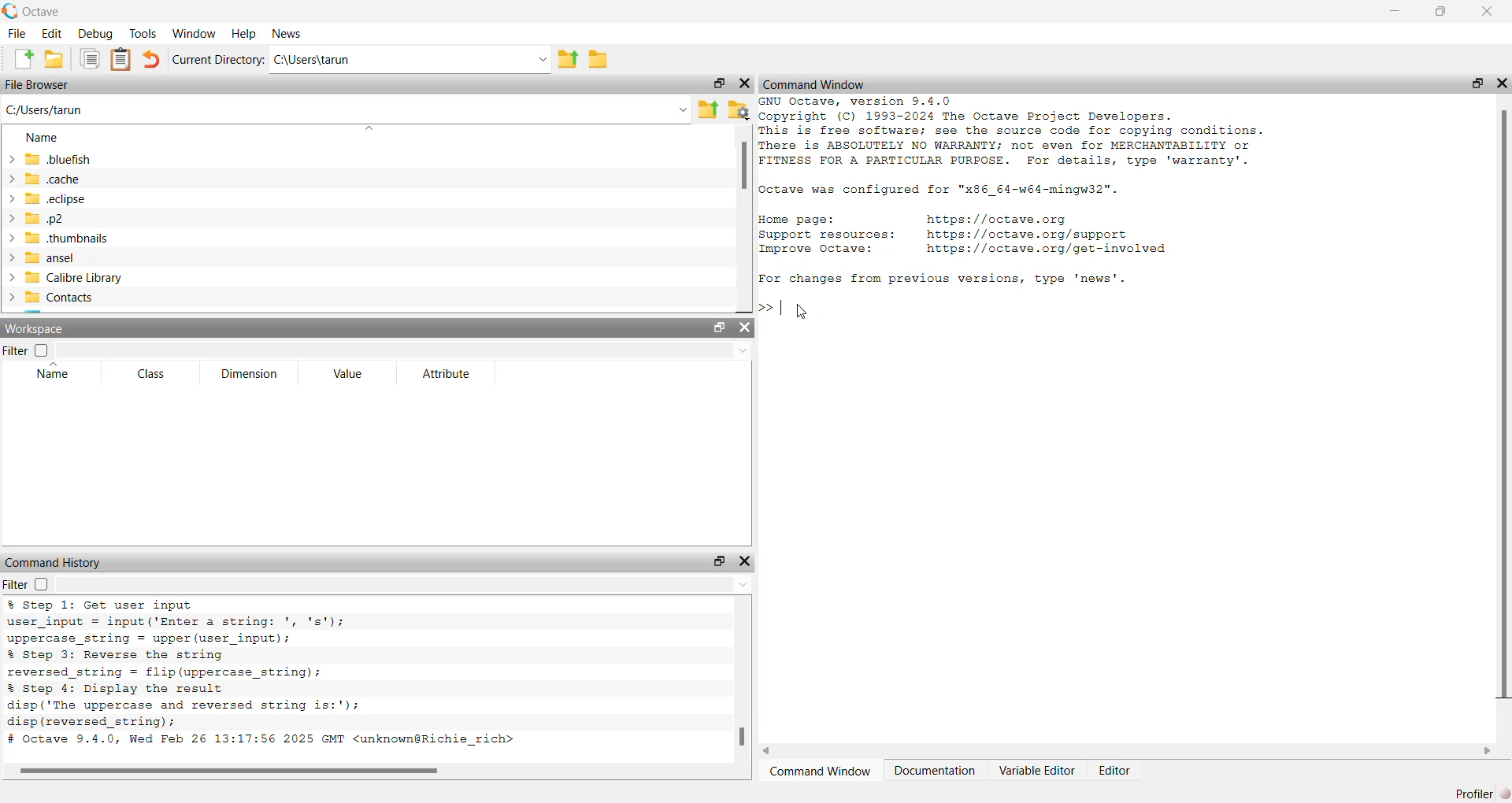  What do you see at coordinates (716, 82) in the screenshot?
I see `unlock widget` at bounding box center [716, 82].